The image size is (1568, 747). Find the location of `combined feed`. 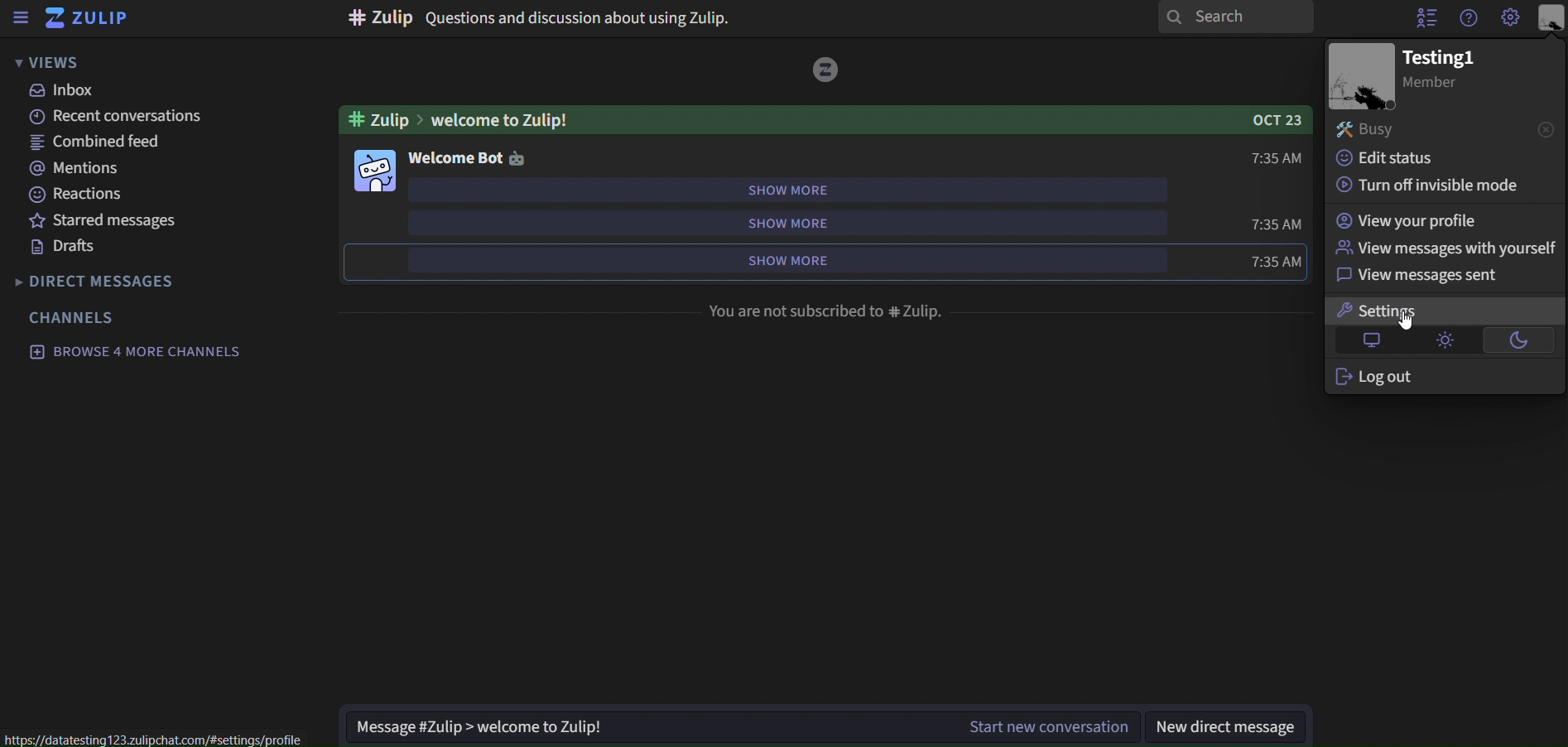

combined feed is located at coordinates (96, 144).